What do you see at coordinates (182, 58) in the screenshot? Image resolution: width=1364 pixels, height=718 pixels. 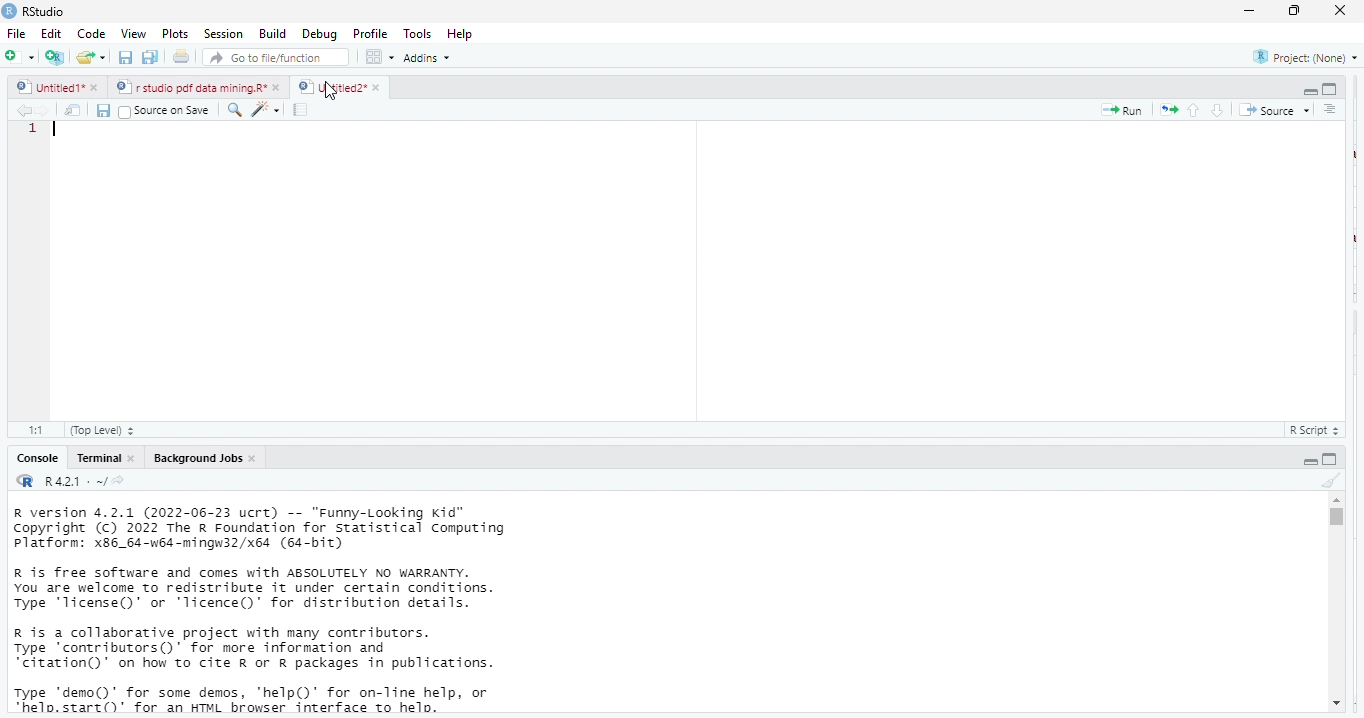 I see `print the current file` at bounding box center [182, 58].